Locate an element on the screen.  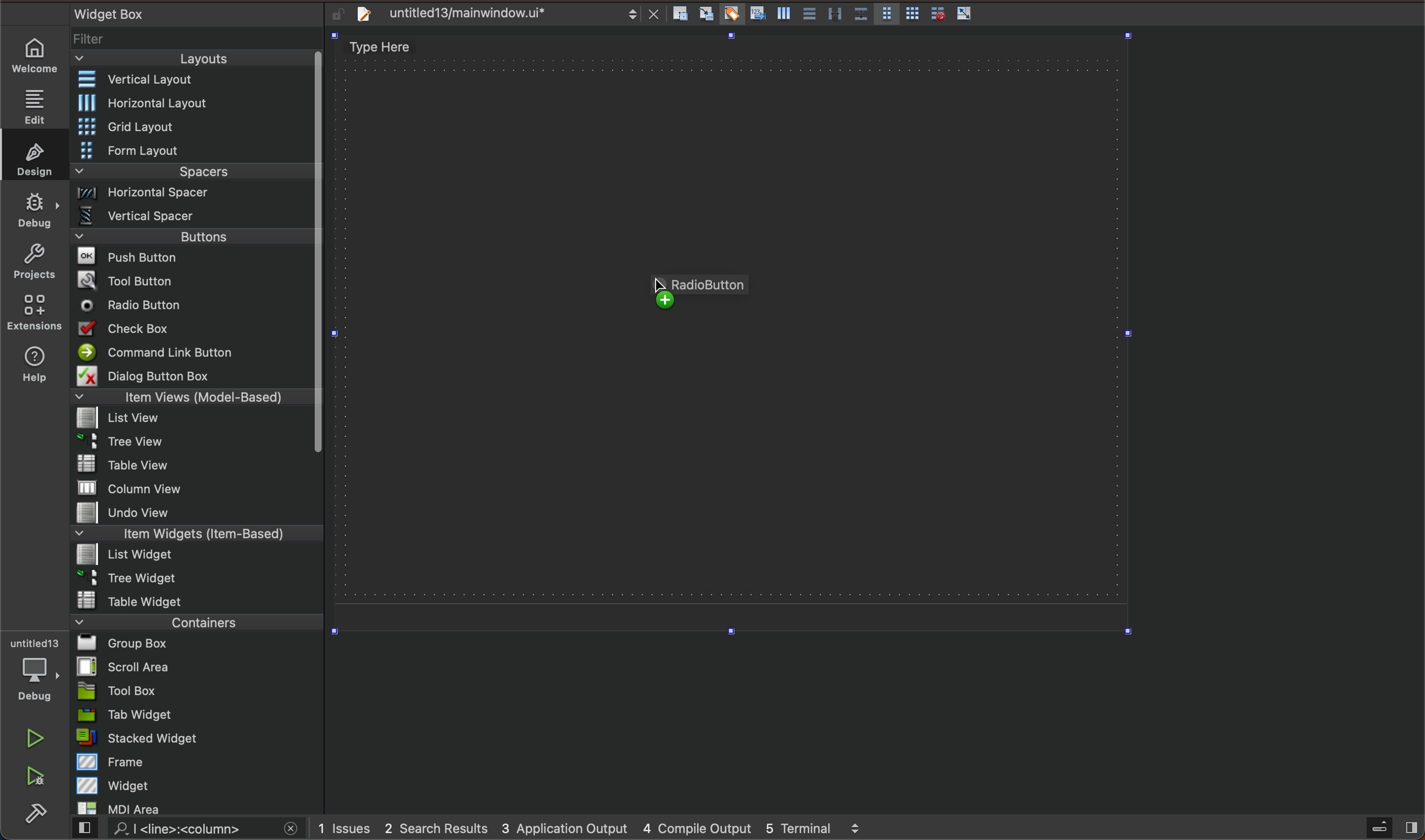
build is located at coordinates (36, 815).